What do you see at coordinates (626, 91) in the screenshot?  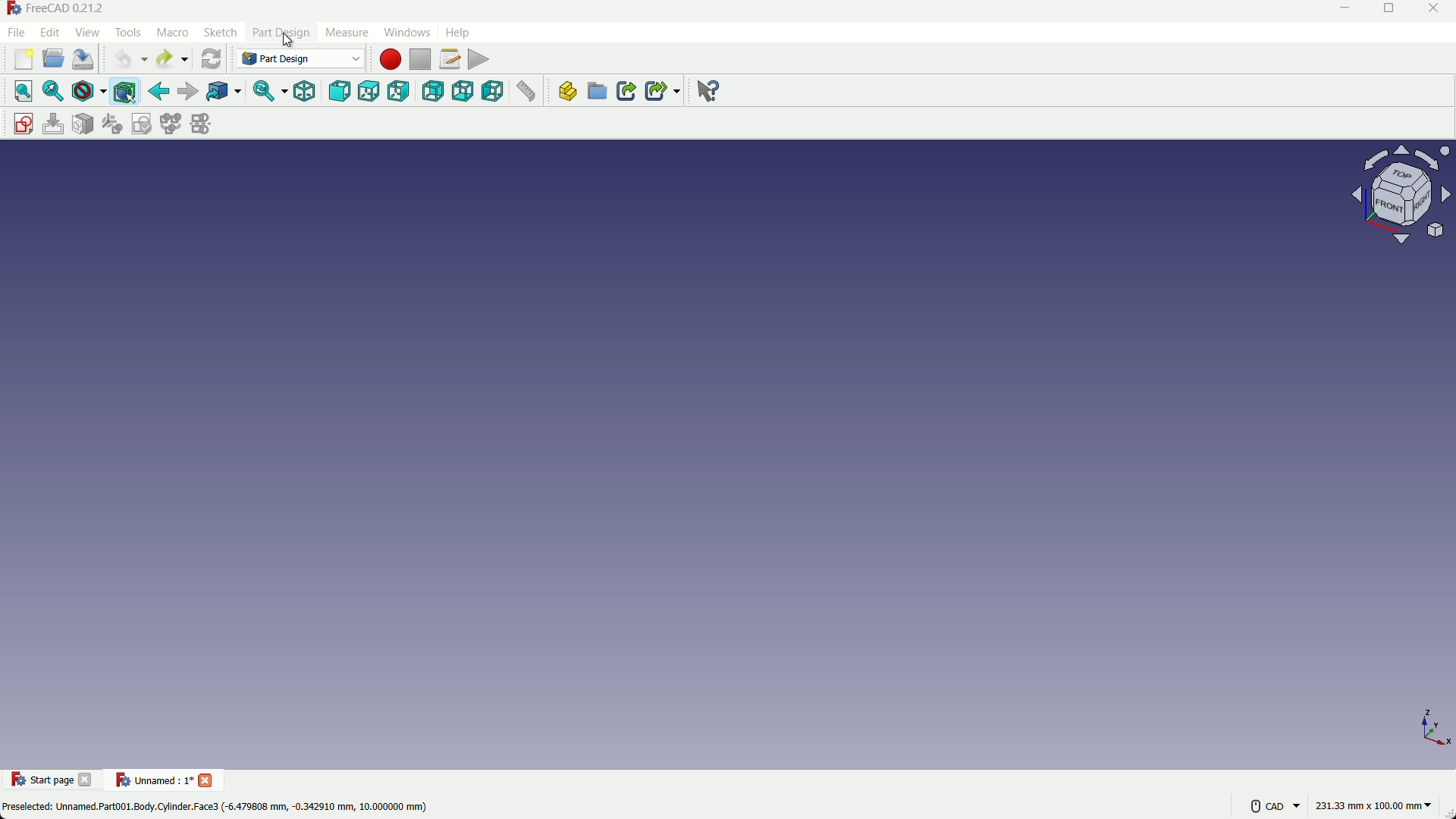 I see `create link` at bounding box center [626, 91].